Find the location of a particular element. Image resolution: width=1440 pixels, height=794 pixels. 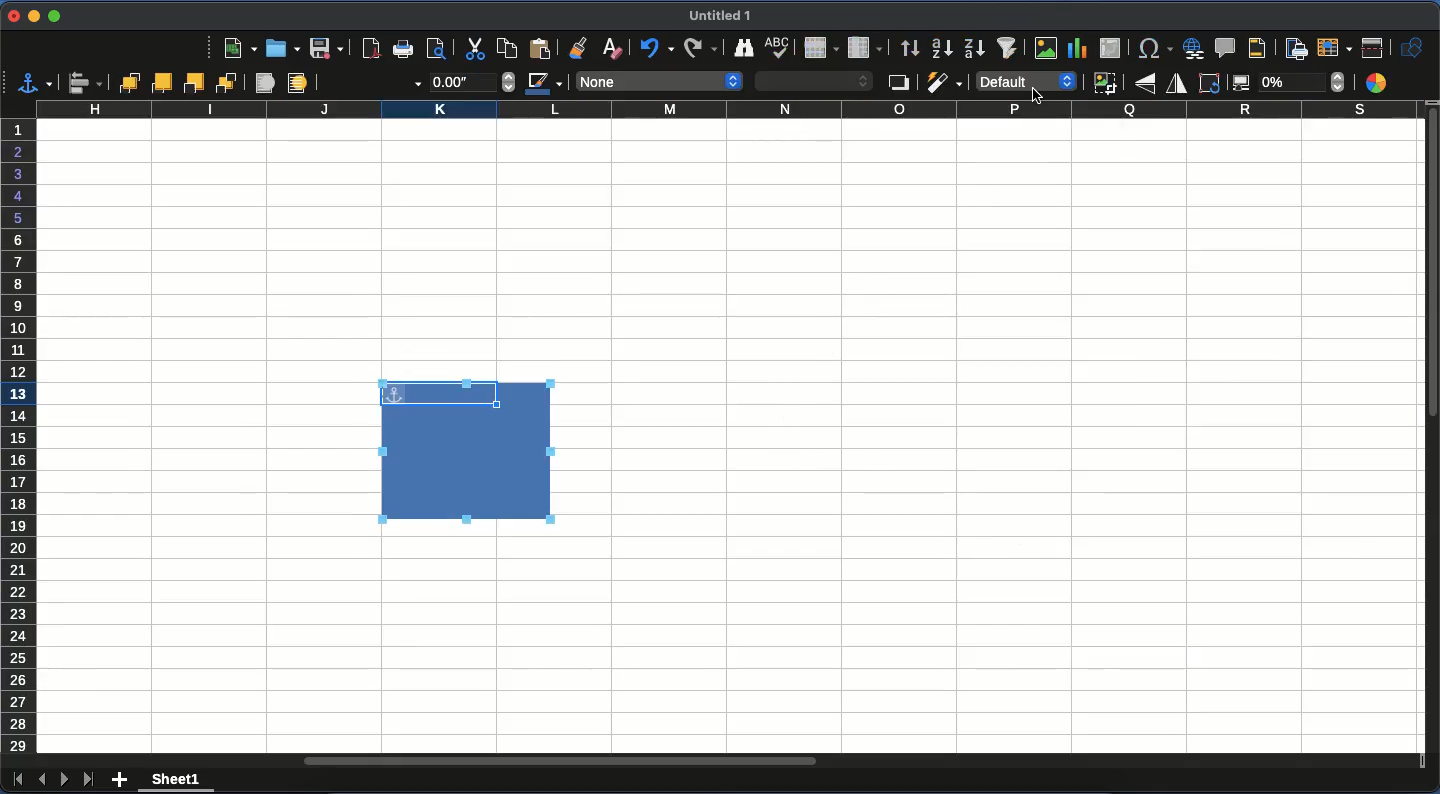

add is located at coordinates (122, 777).